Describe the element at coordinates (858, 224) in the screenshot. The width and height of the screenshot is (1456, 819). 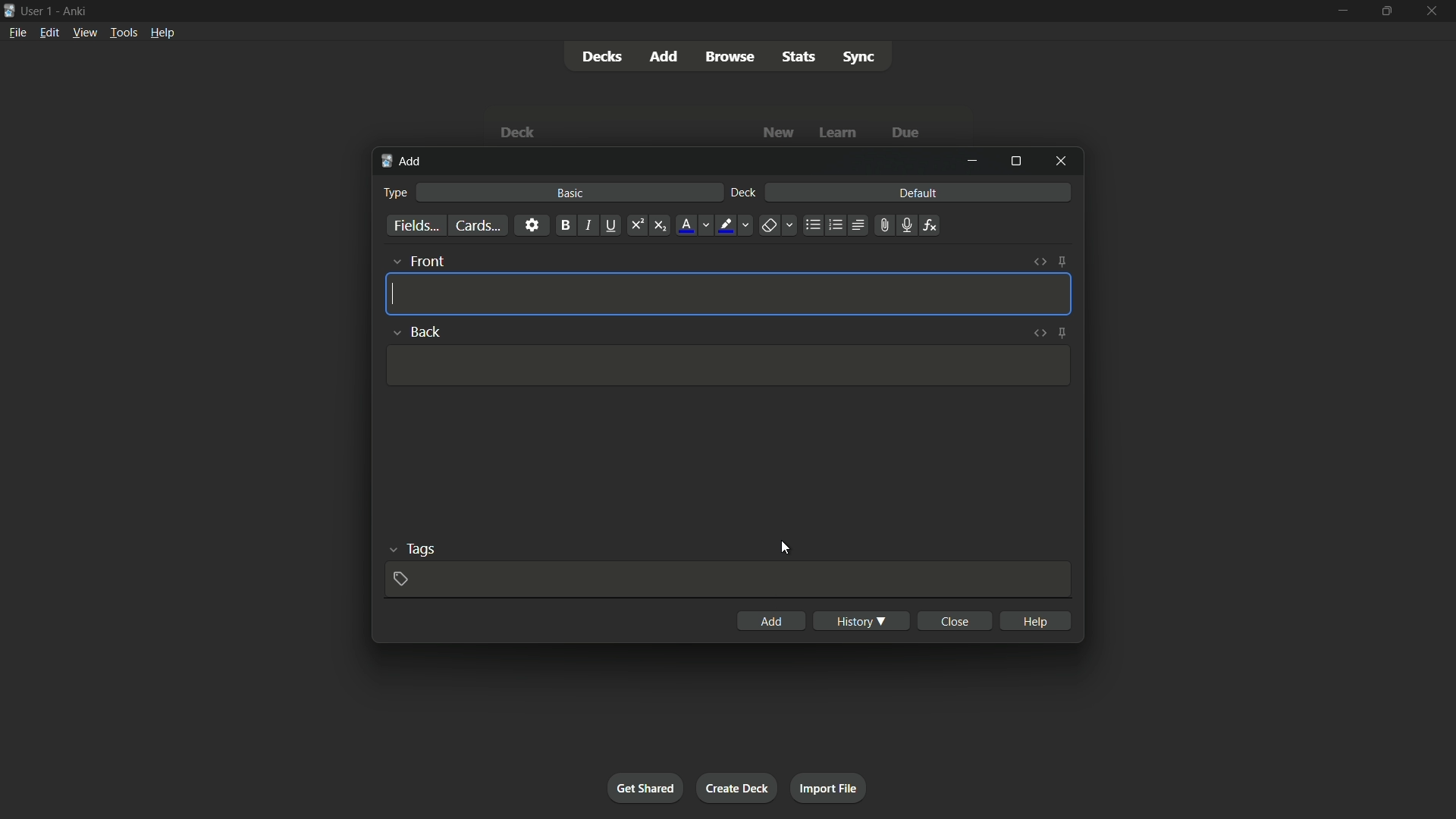
I see `alignment` at that location.